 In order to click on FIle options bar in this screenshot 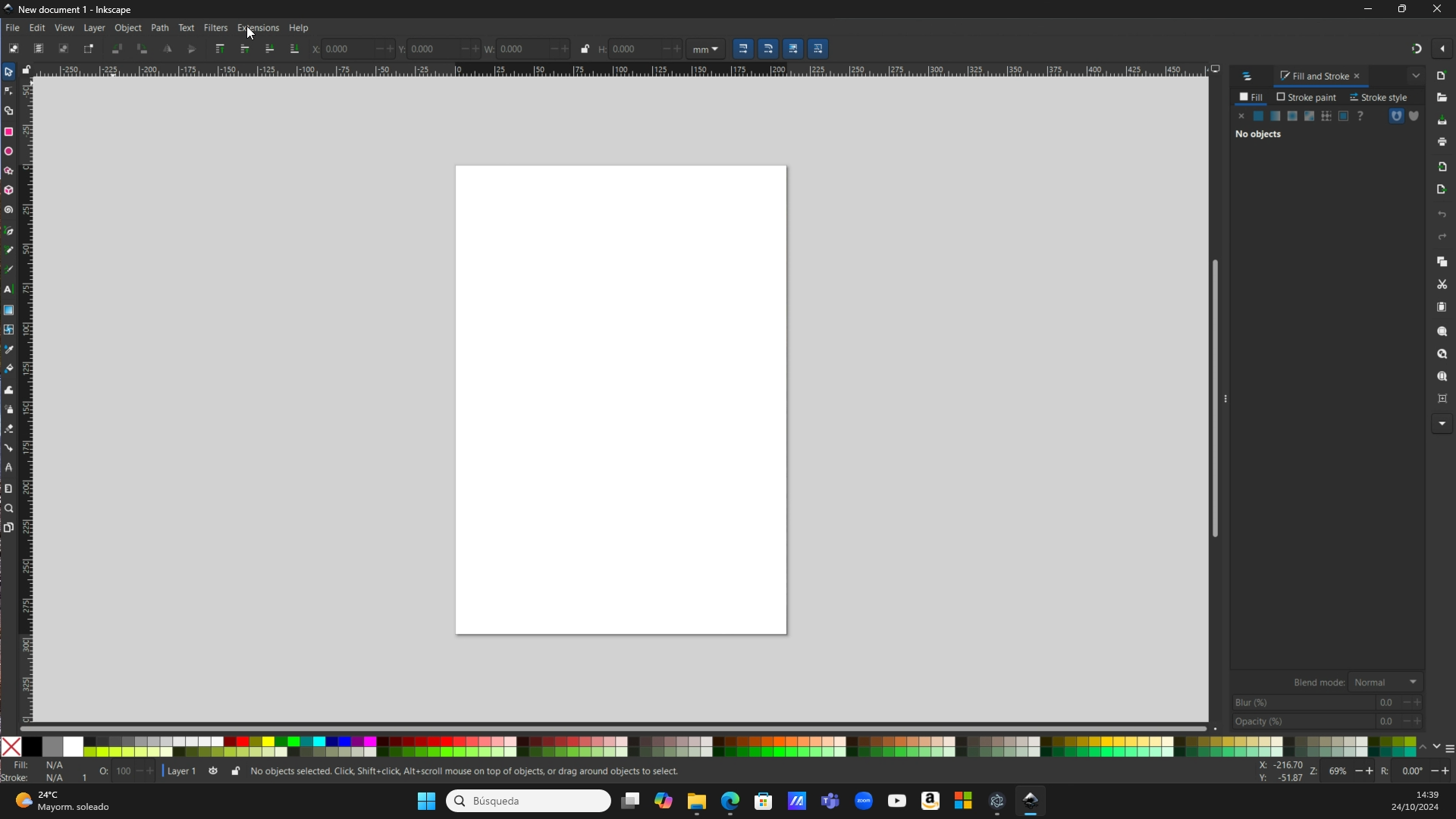, I will do `click(1441, 249)`.